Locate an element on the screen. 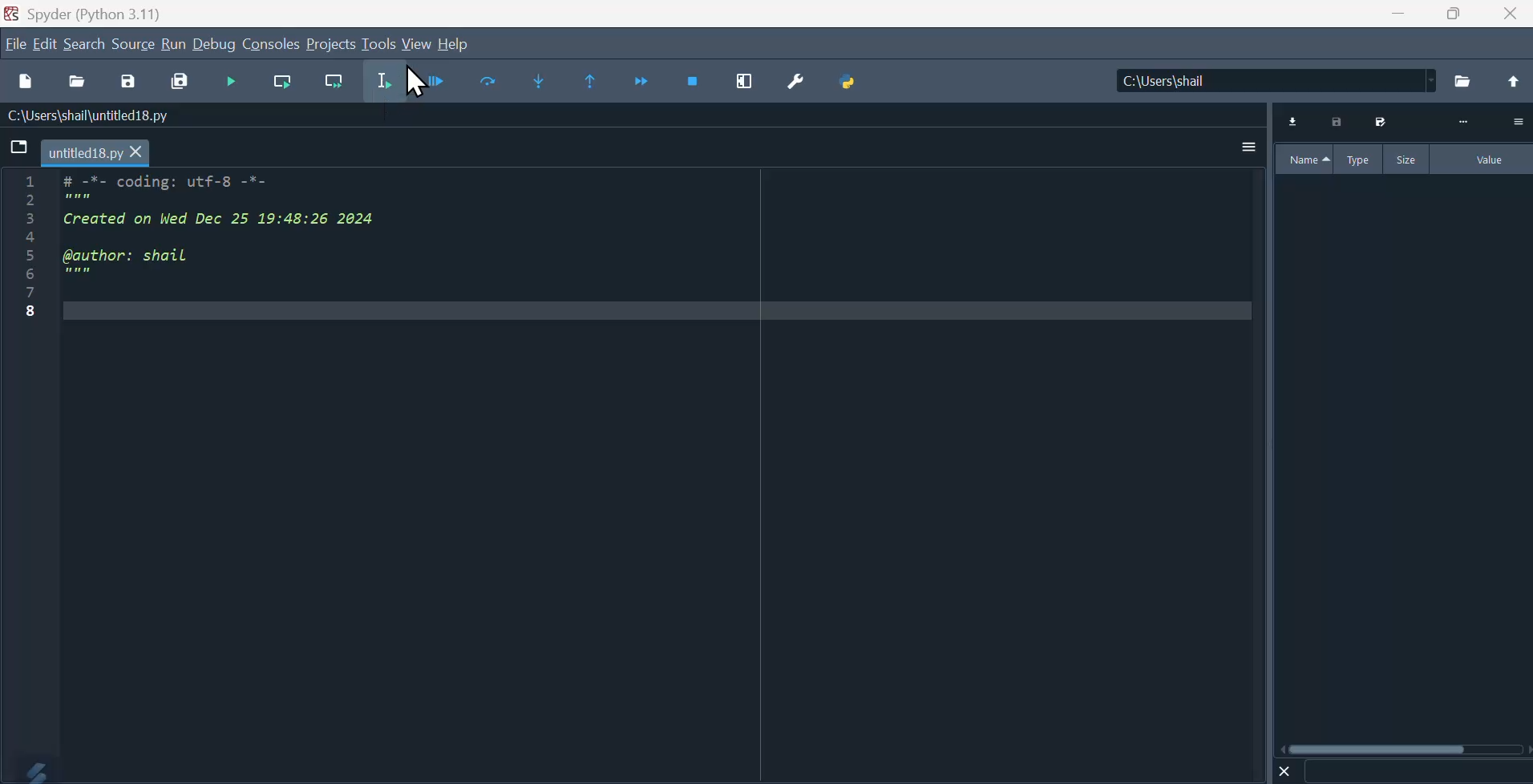  Console is located at coordinates (271, 43).